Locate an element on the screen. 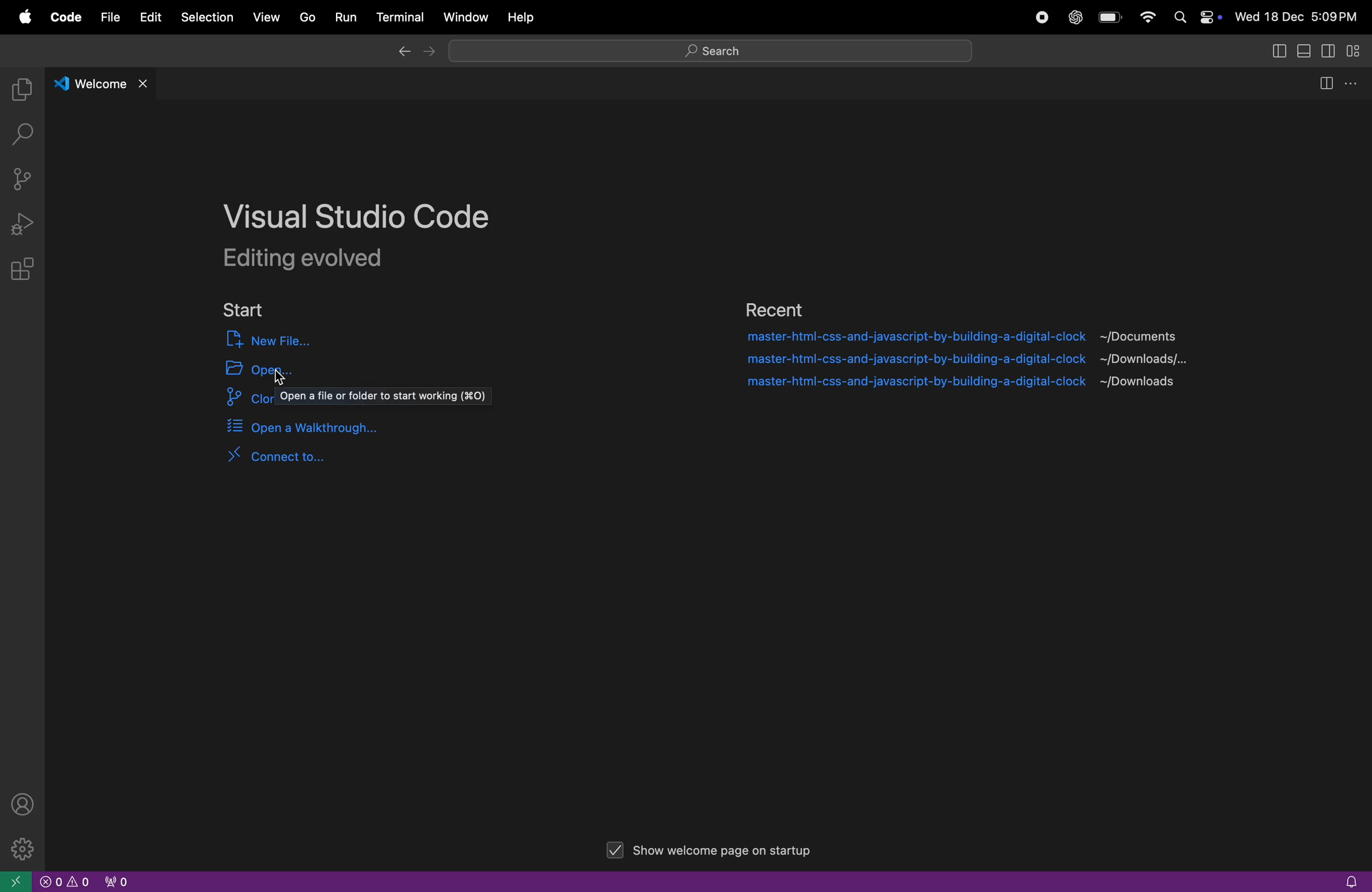 The width and height of the screenshot is (1372, 892). search is located at coordinates (28, 136).